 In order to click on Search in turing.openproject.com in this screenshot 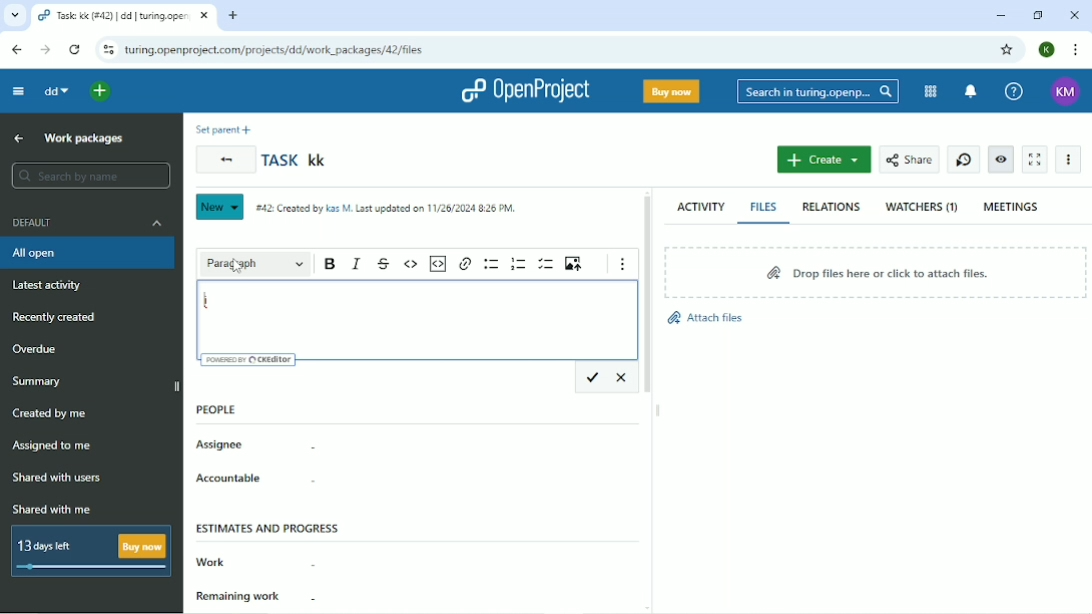, I will do `click(817, 90)`.